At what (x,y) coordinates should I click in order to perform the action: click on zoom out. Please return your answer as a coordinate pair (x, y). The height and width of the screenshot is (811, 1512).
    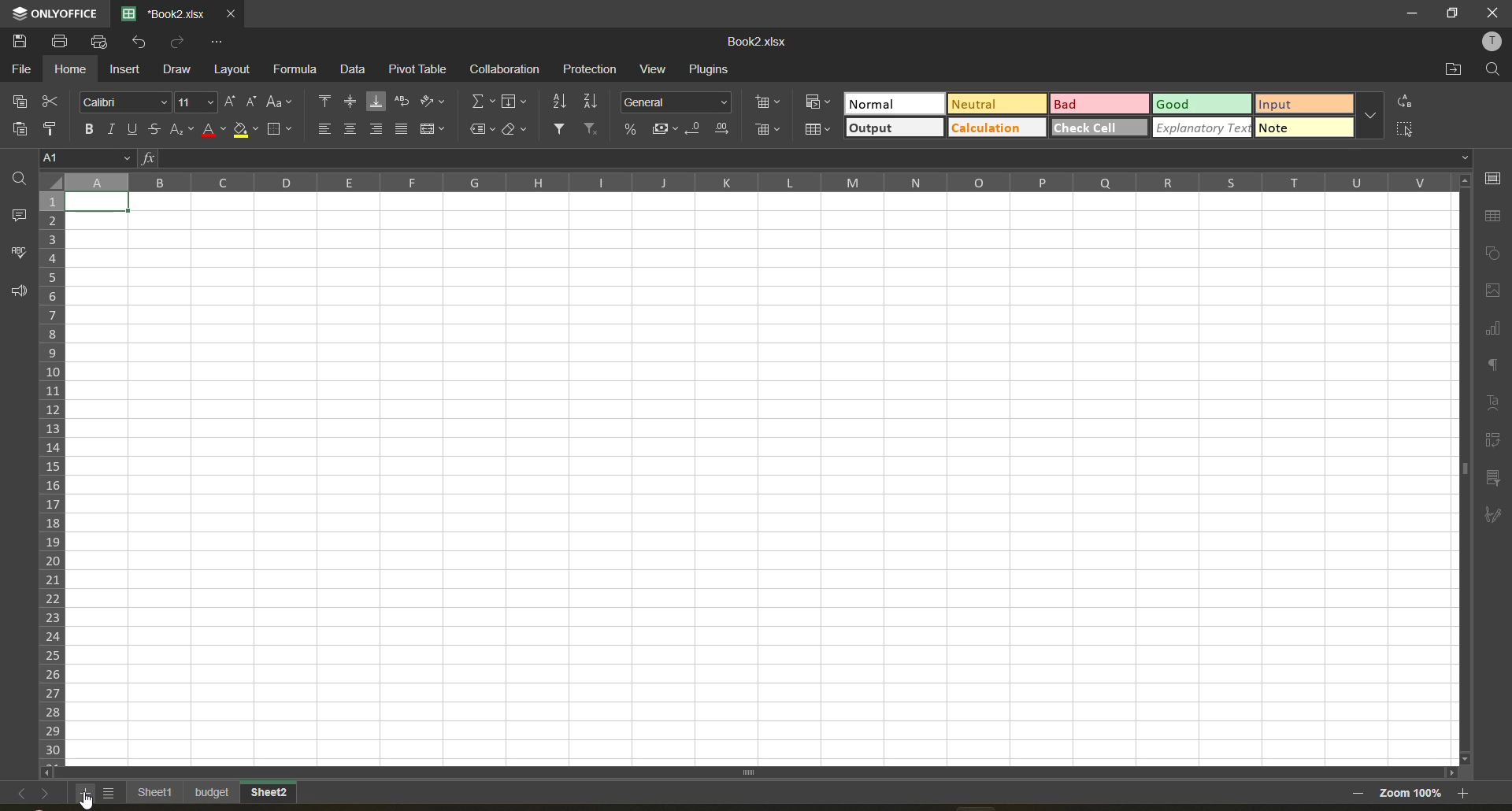
    Looking at the image, I should click on (1462, 795).